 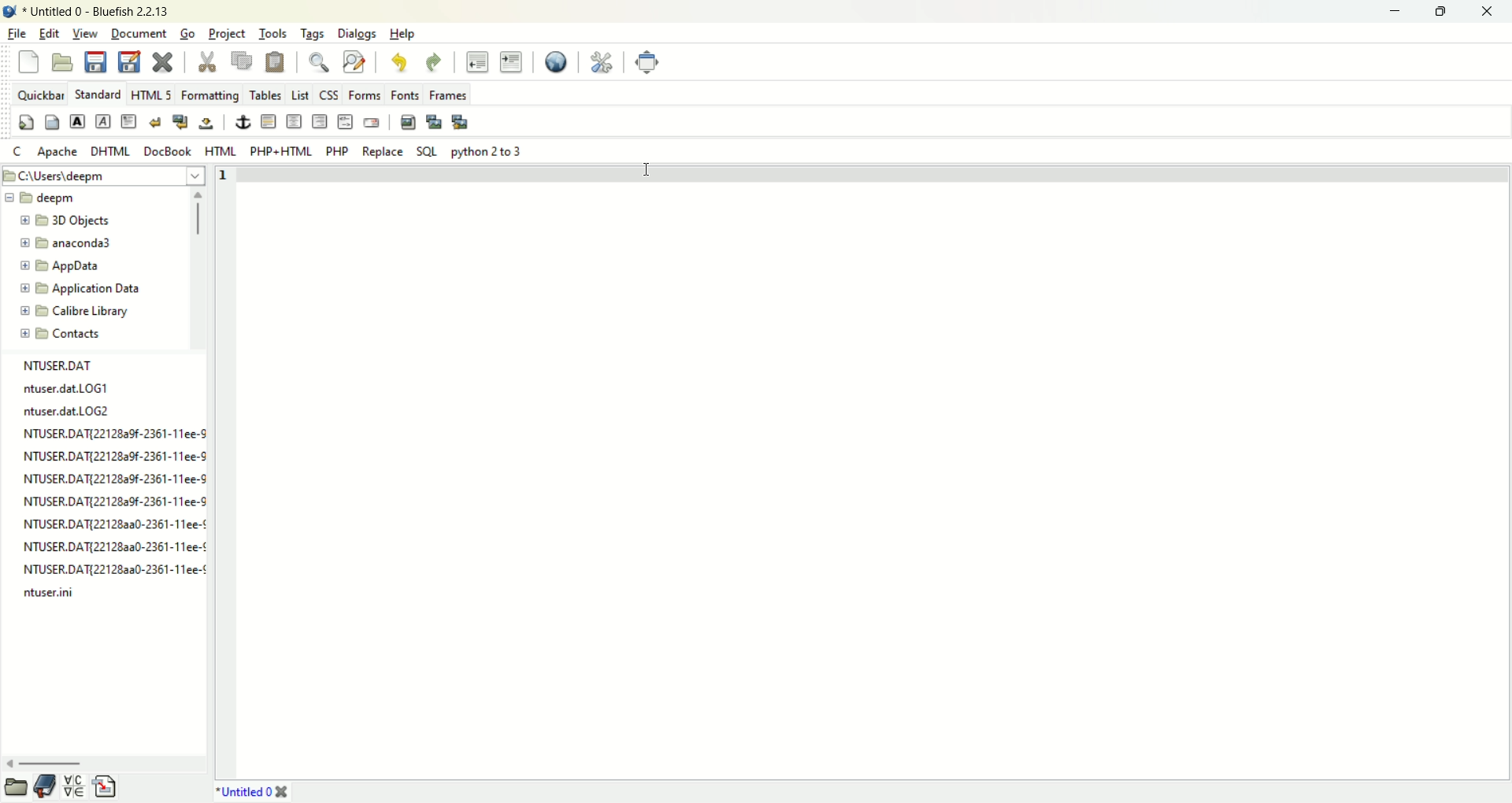 What do you see at coordinates (322, 62) in the screenshot?
I see `find` at bounding box center [322, 62].